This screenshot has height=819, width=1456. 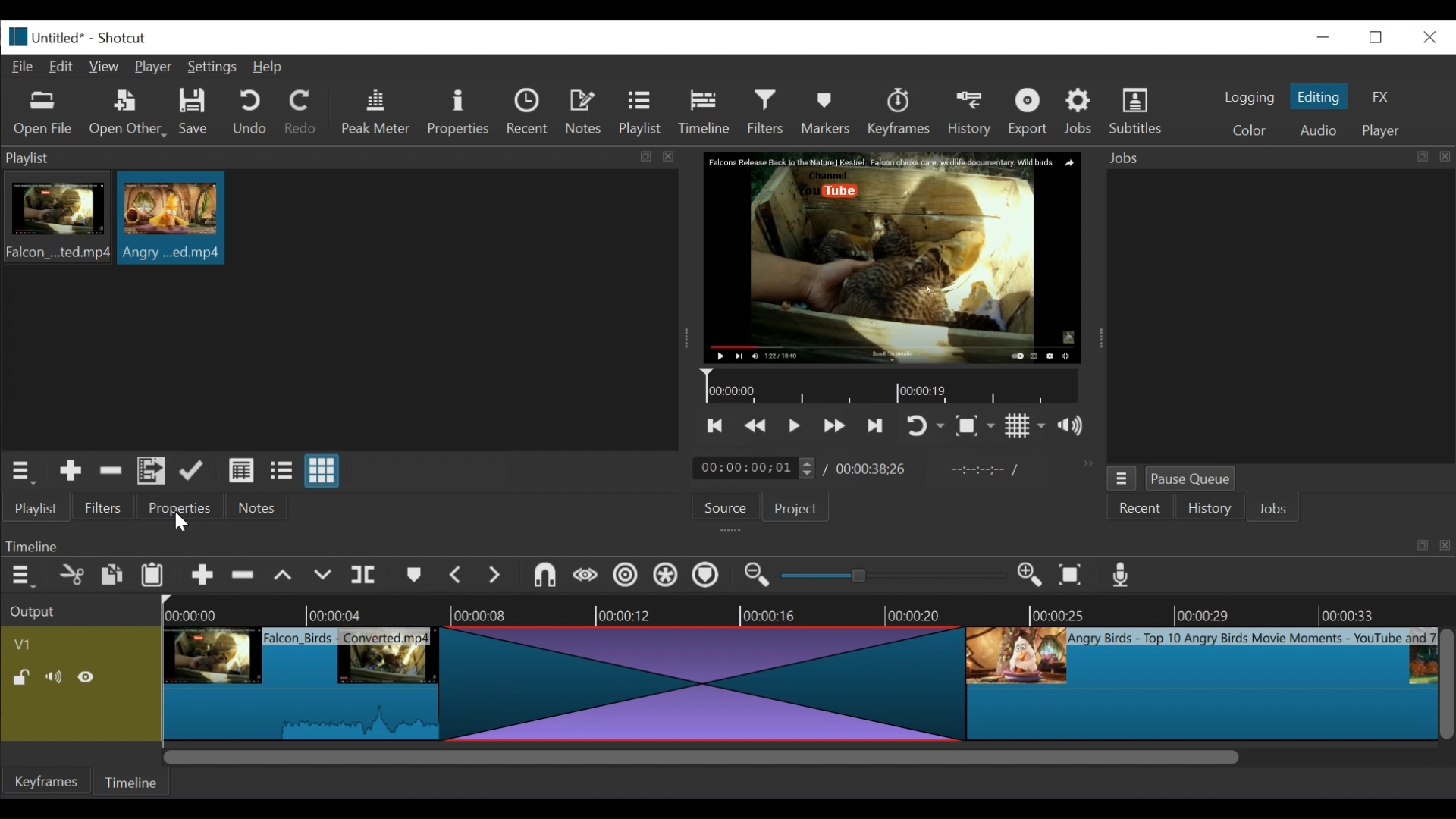 What do you see at coordinates (1321, 96) in the screenshot?
I see `Editing` at bounding box center [1321, 96].